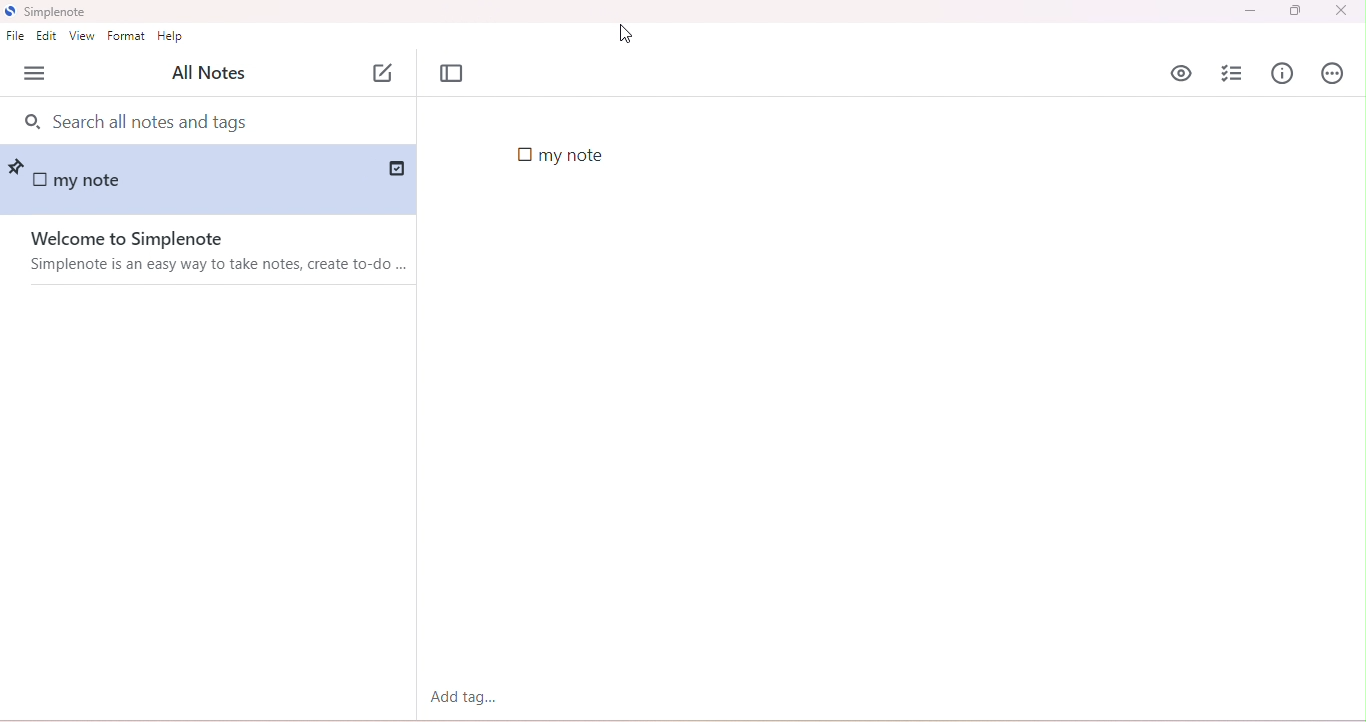 The image size is (1366, 722). I want to click on my note, so click(82, 180).